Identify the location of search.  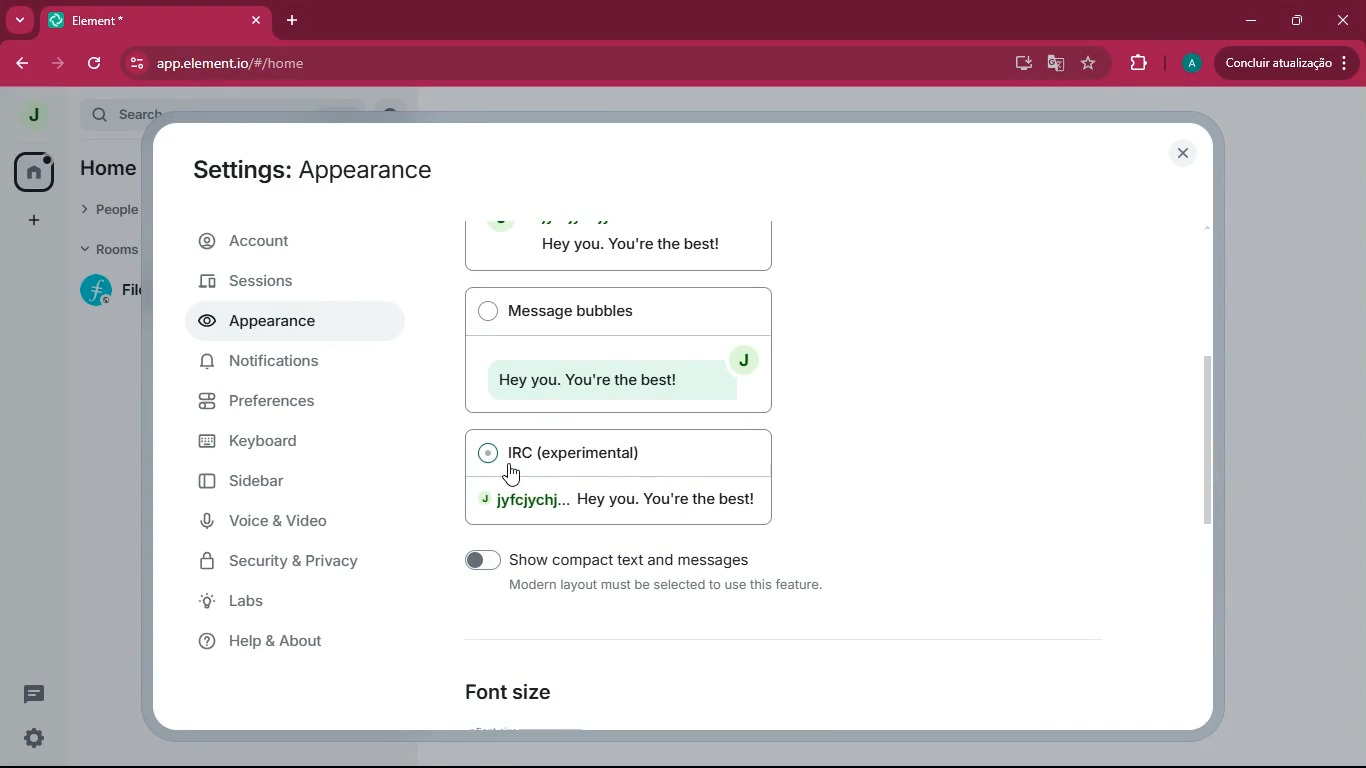
(127, 114).